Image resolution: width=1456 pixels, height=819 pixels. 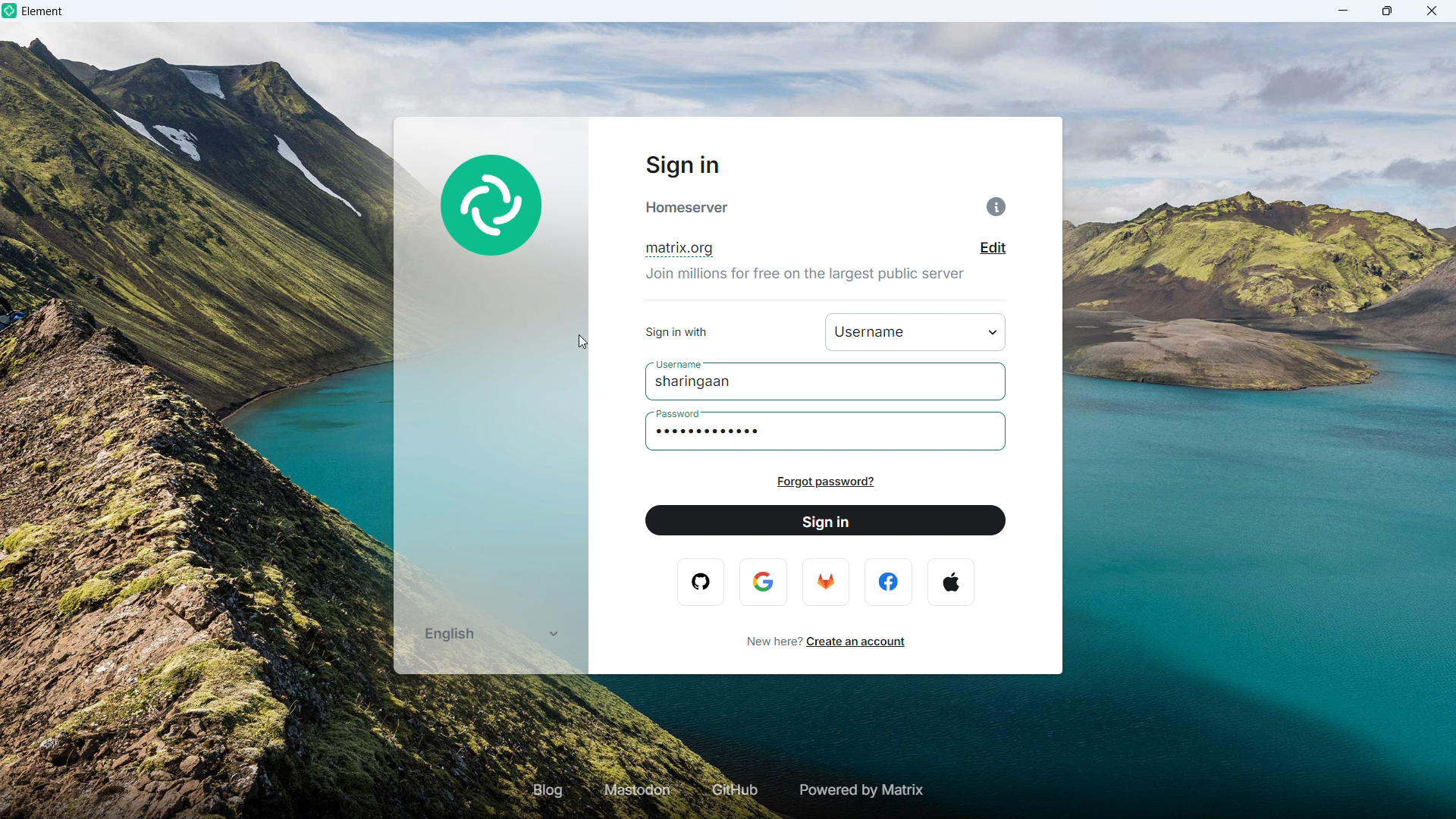 What do you see at coordinates (890, 582) in the screenshot?
I see `facebook logo` at bounding box center [890, 582].